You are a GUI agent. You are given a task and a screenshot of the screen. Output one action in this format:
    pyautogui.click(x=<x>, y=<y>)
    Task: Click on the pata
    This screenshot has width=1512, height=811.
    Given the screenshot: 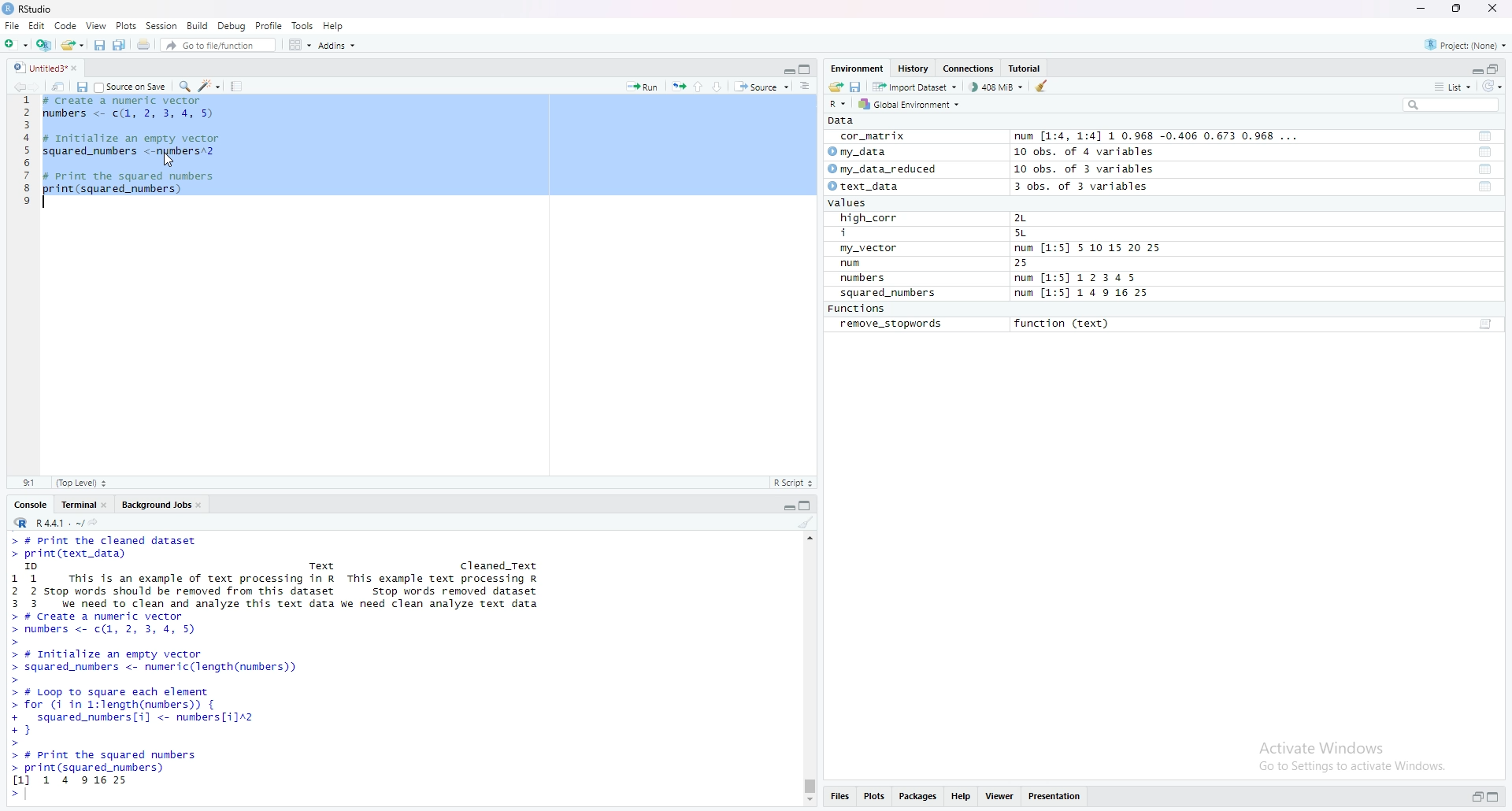 What is the action you would take?
    pyautogui.click(x=845, y=120)
    